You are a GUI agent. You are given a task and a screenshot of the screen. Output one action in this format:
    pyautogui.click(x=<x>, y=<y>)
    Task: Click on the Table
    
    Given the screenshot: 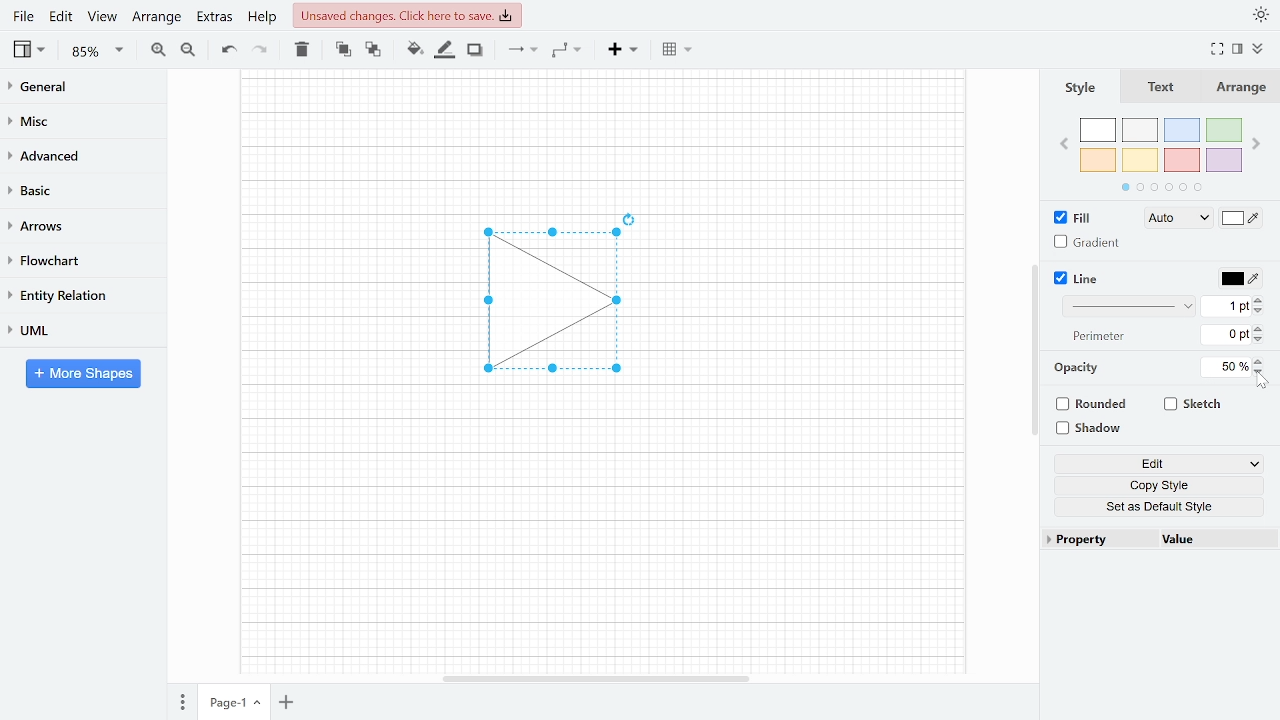 What is the action you would take?
    pyautogui.click(x=679, y=48)
    